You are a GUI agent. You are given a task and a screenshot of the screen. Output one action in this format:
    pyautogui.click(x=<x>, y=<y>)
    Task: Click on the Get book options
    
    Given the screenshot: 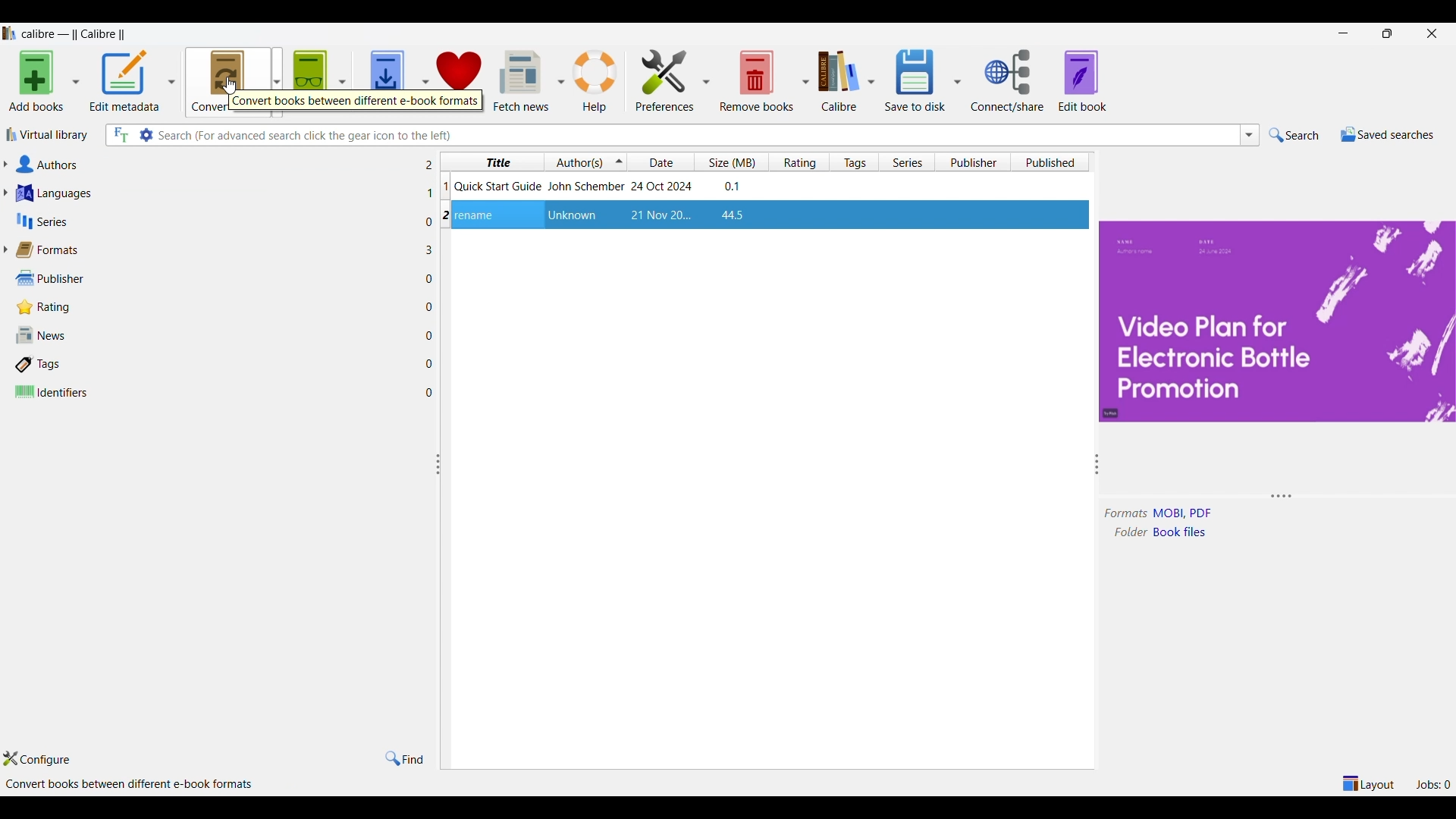 What is the action you would take?
    pyautogui.click(x=425, y=80)
    